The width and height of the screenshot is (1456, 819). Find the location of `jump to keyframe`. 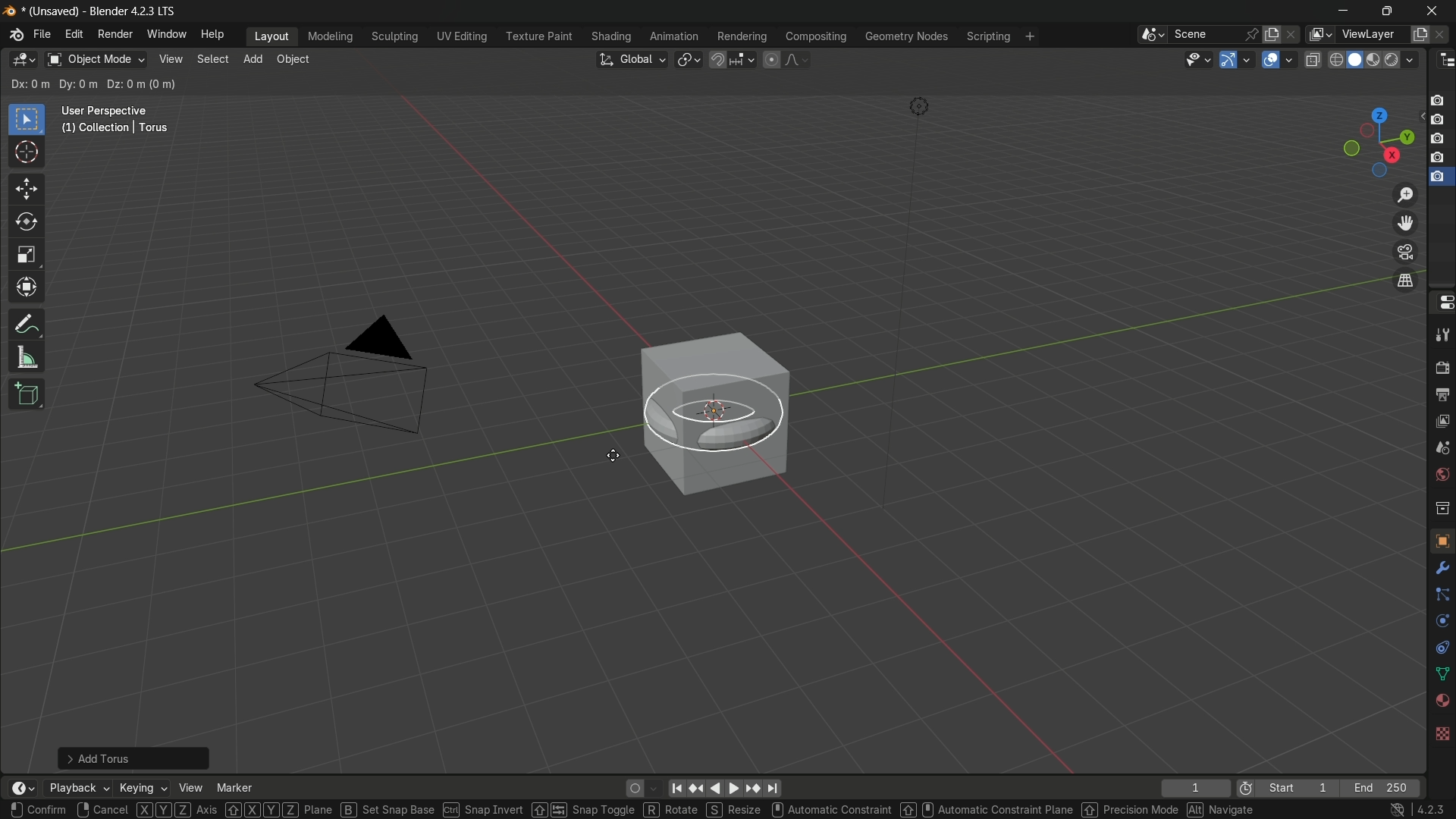

jump to keyframe is located at coordinates (755, 789).